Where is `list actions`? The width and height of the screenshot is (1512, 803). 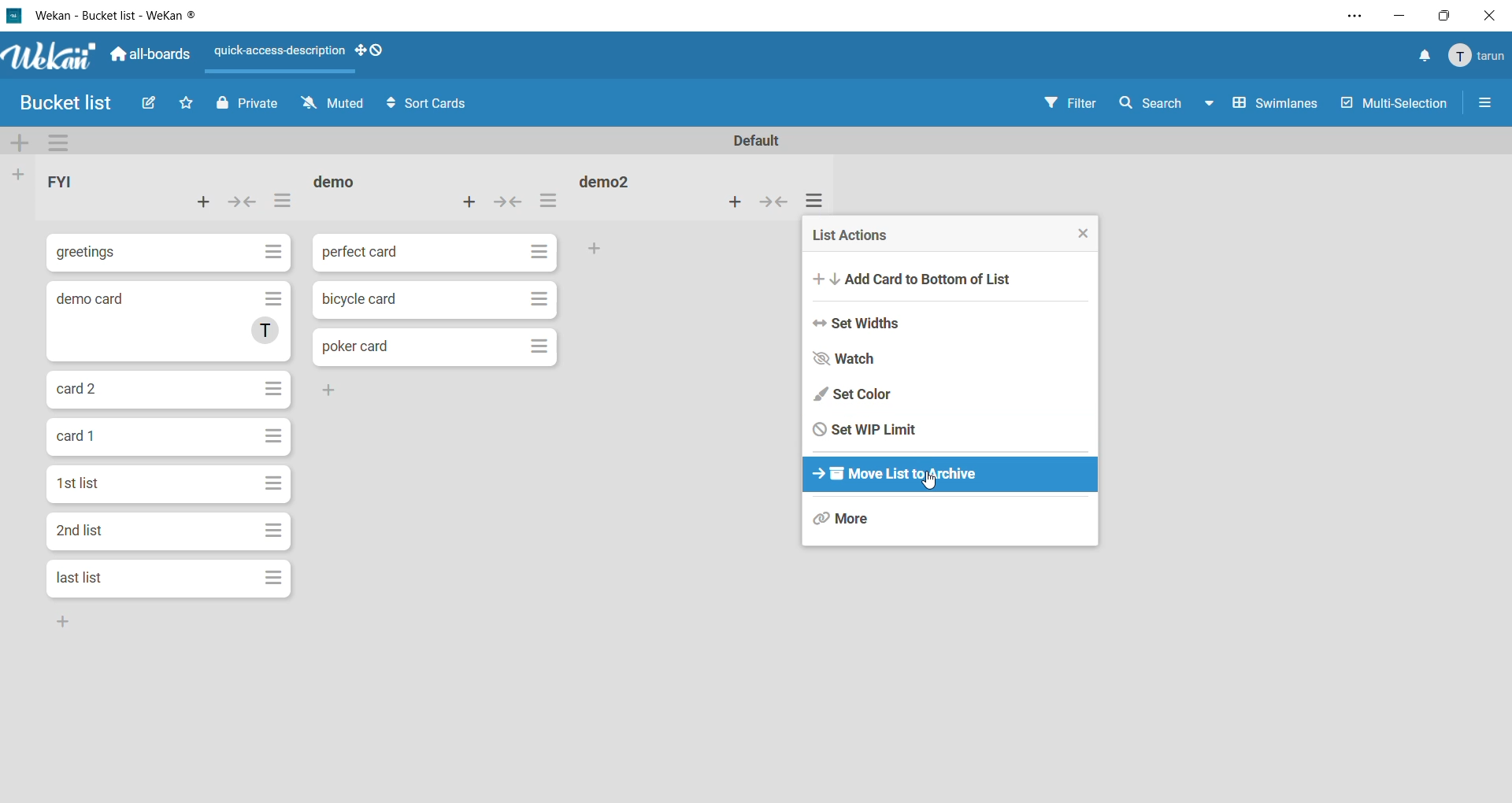 list actions is located at coordinates (282, 204).